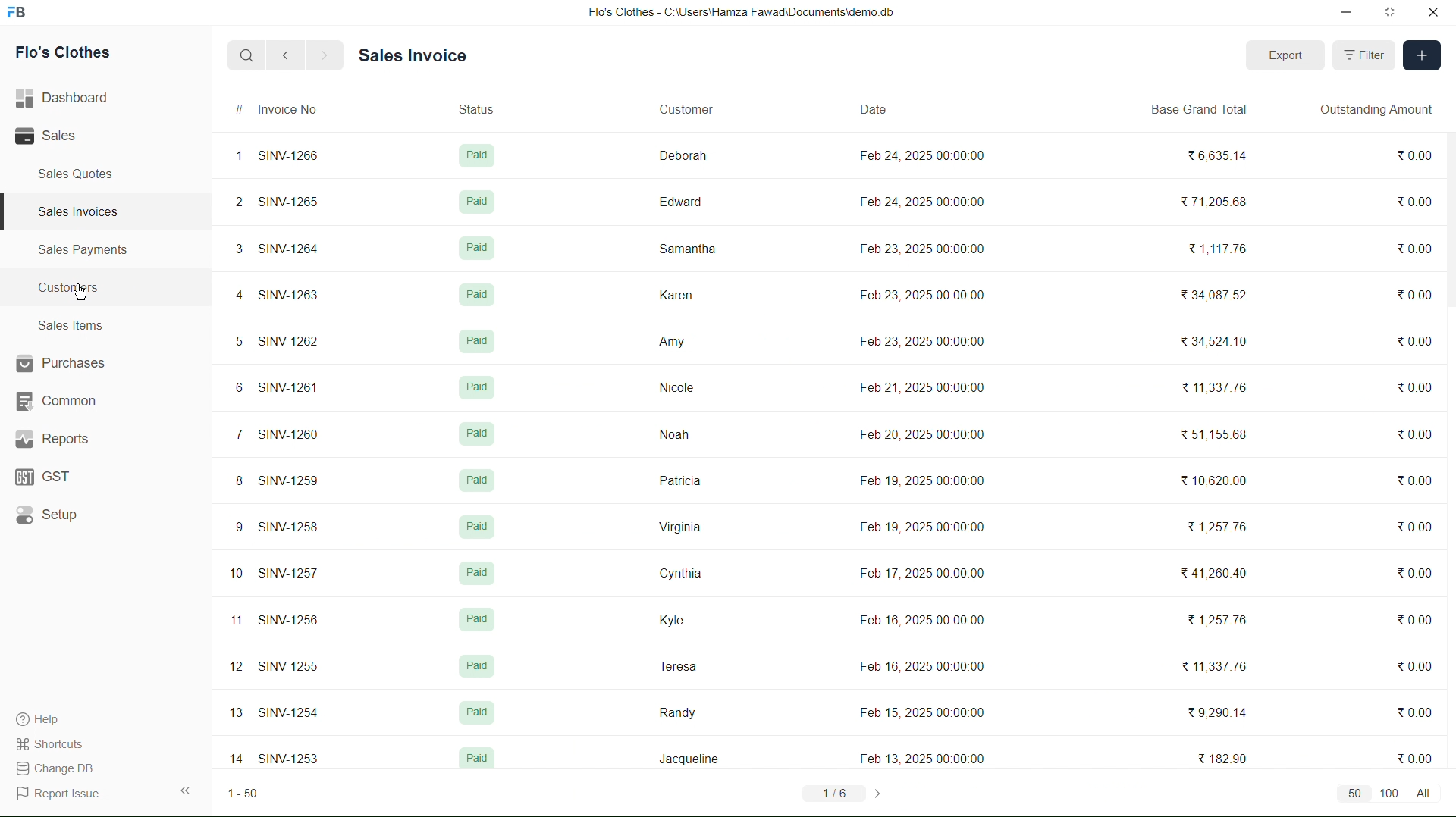 Image resolution: width=1456 pixels, height=817 pixels. What do you see at coordinates (679, 200) in the screenshot?
I see `Edward` at bounding box center [679, 200].